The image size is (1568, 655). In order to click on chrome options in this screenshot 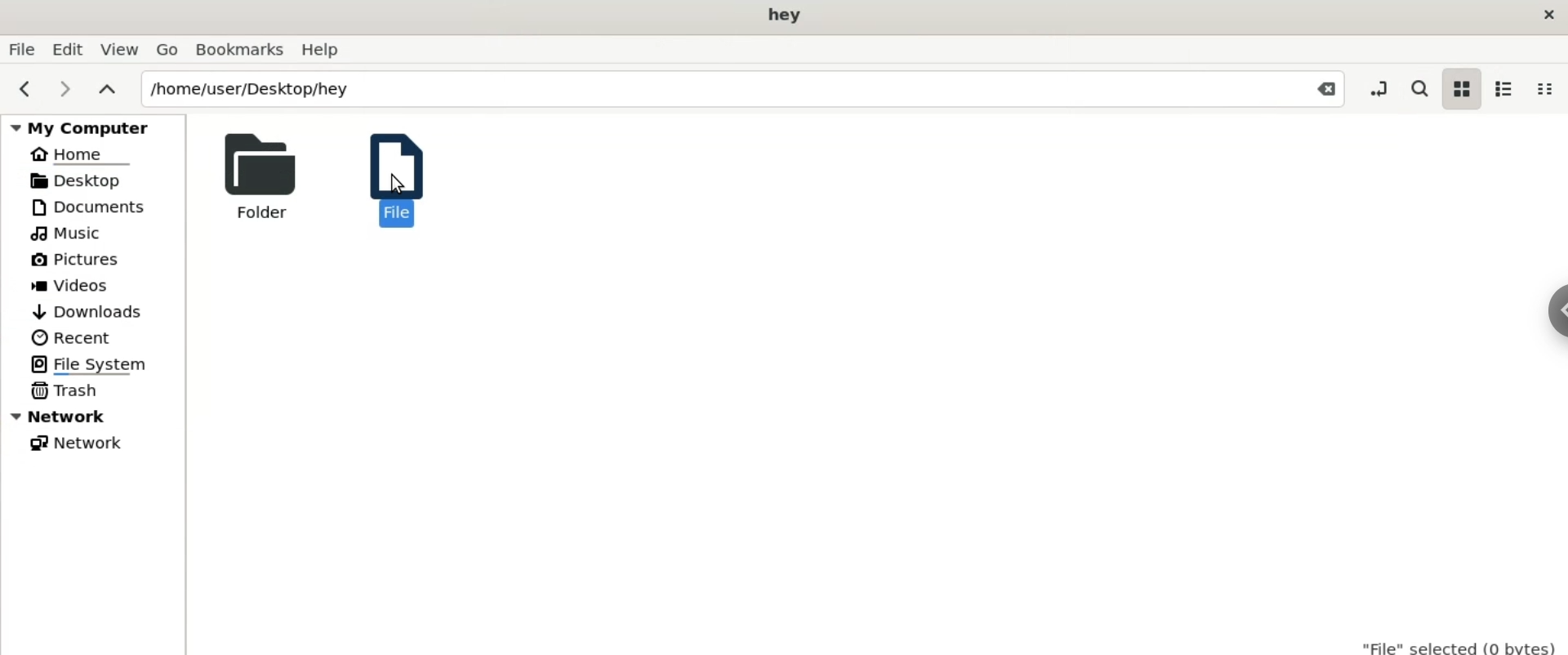, I will do `click(1554, 316)`.